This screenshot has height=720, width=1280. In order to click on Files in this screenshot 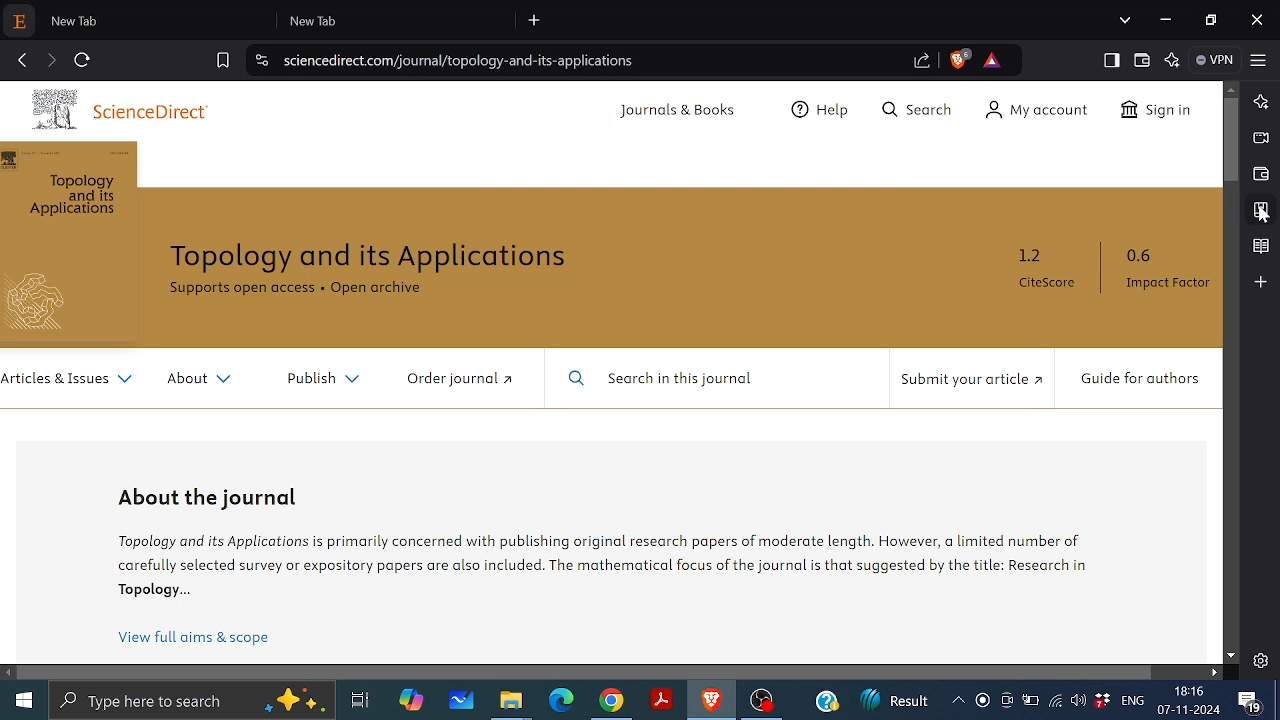, I will do `click(510, 704)`.